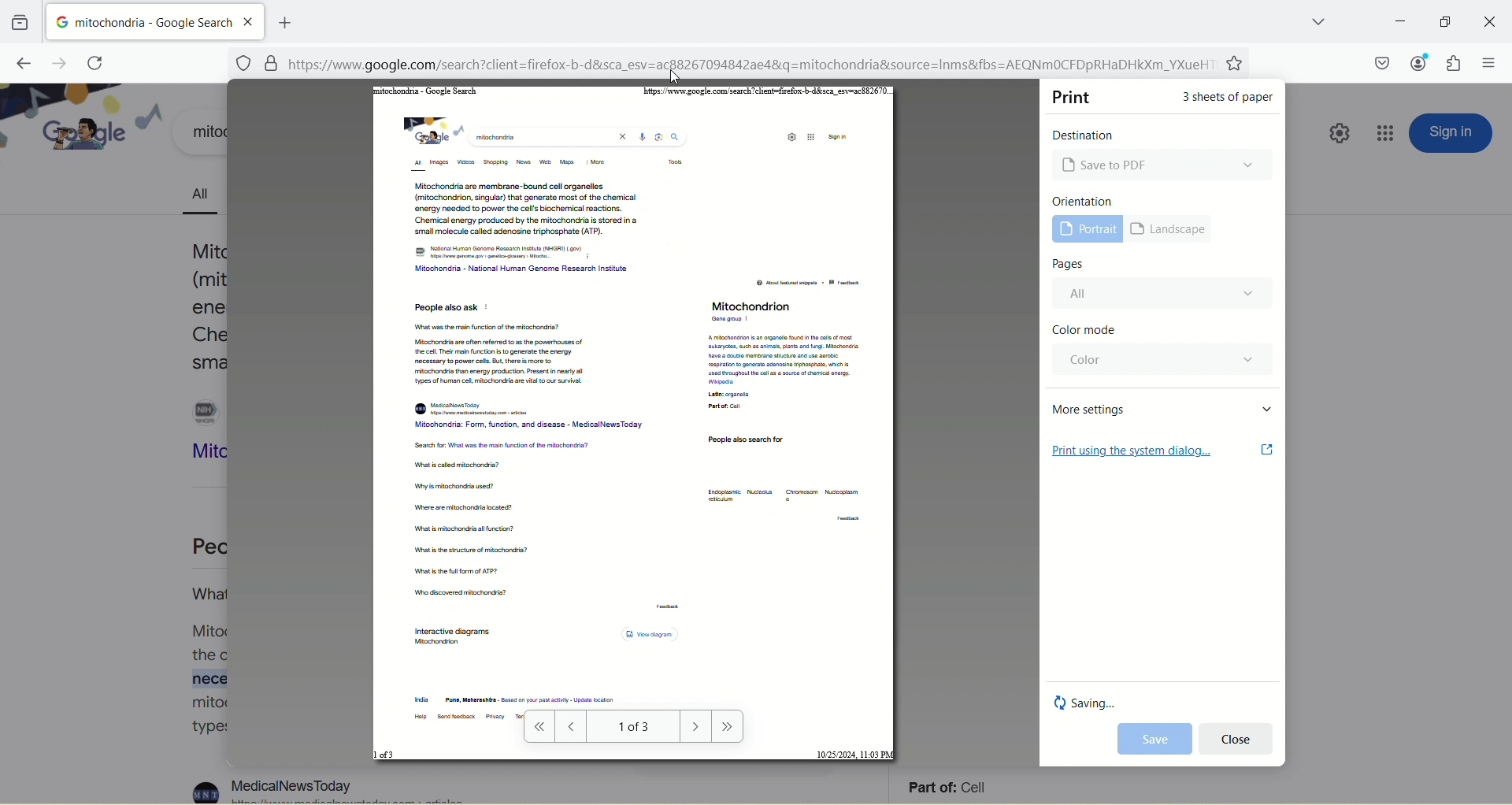 The height and width of the screenshot is (805, 1512). Describe the element at coordinates (1087, 134) in the screenshot. I see `destination` at that location.